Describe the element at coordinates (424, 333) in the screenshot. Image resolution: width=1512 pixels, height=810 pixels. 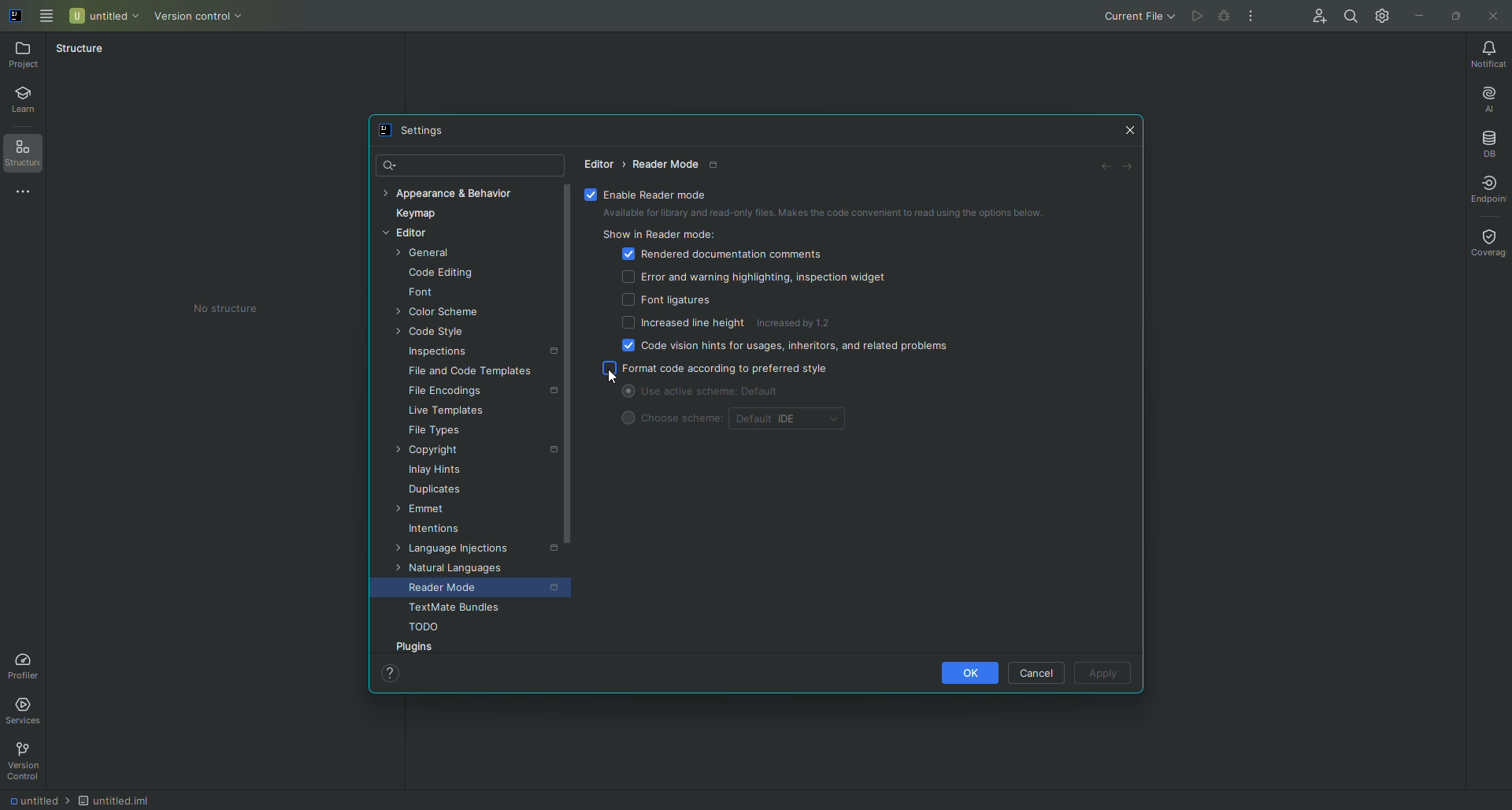
I see `Code style` at that location.